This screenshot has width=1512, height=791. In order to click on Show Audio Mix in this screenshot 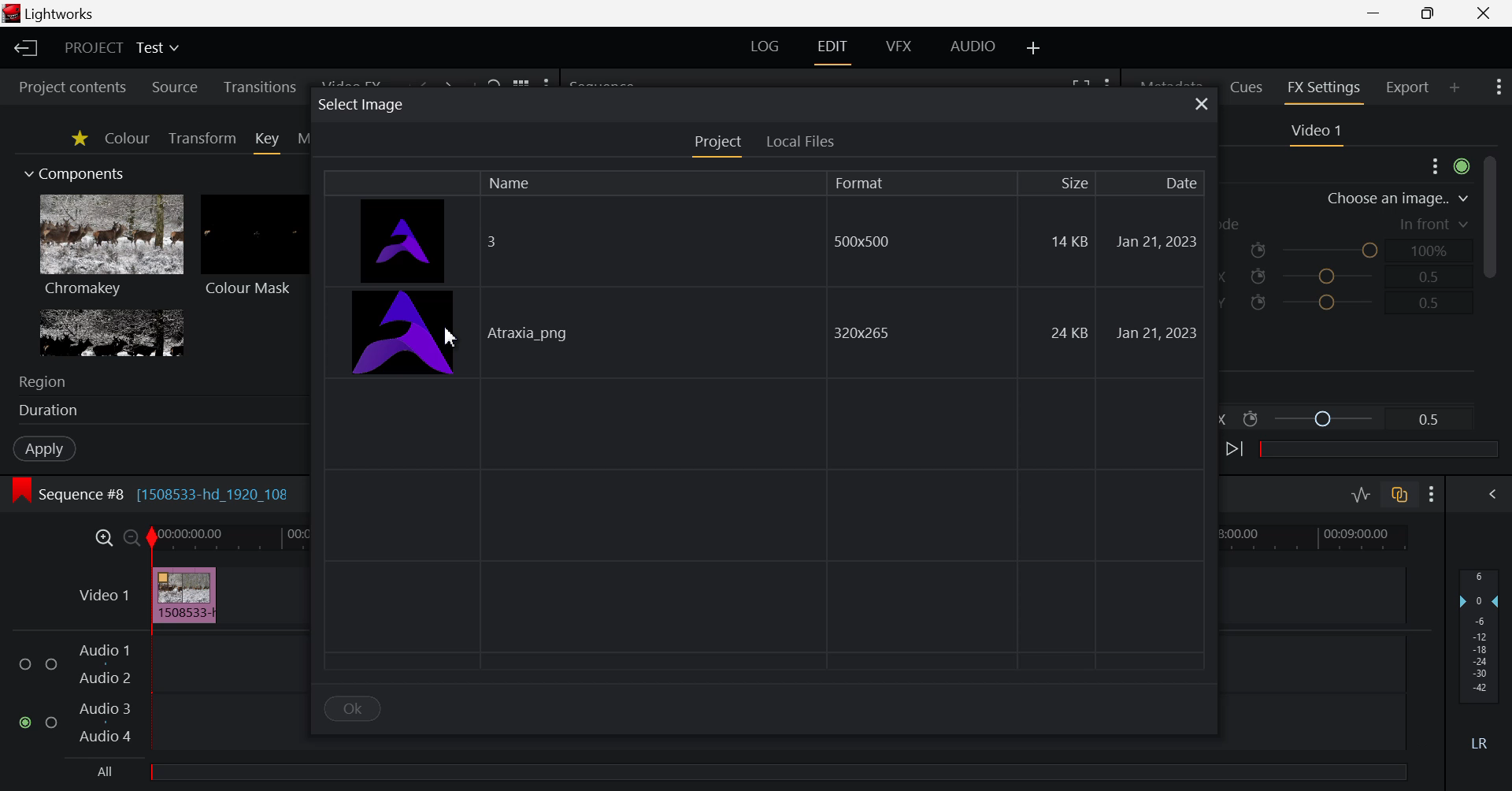, I will do `click(1490, 494)`.